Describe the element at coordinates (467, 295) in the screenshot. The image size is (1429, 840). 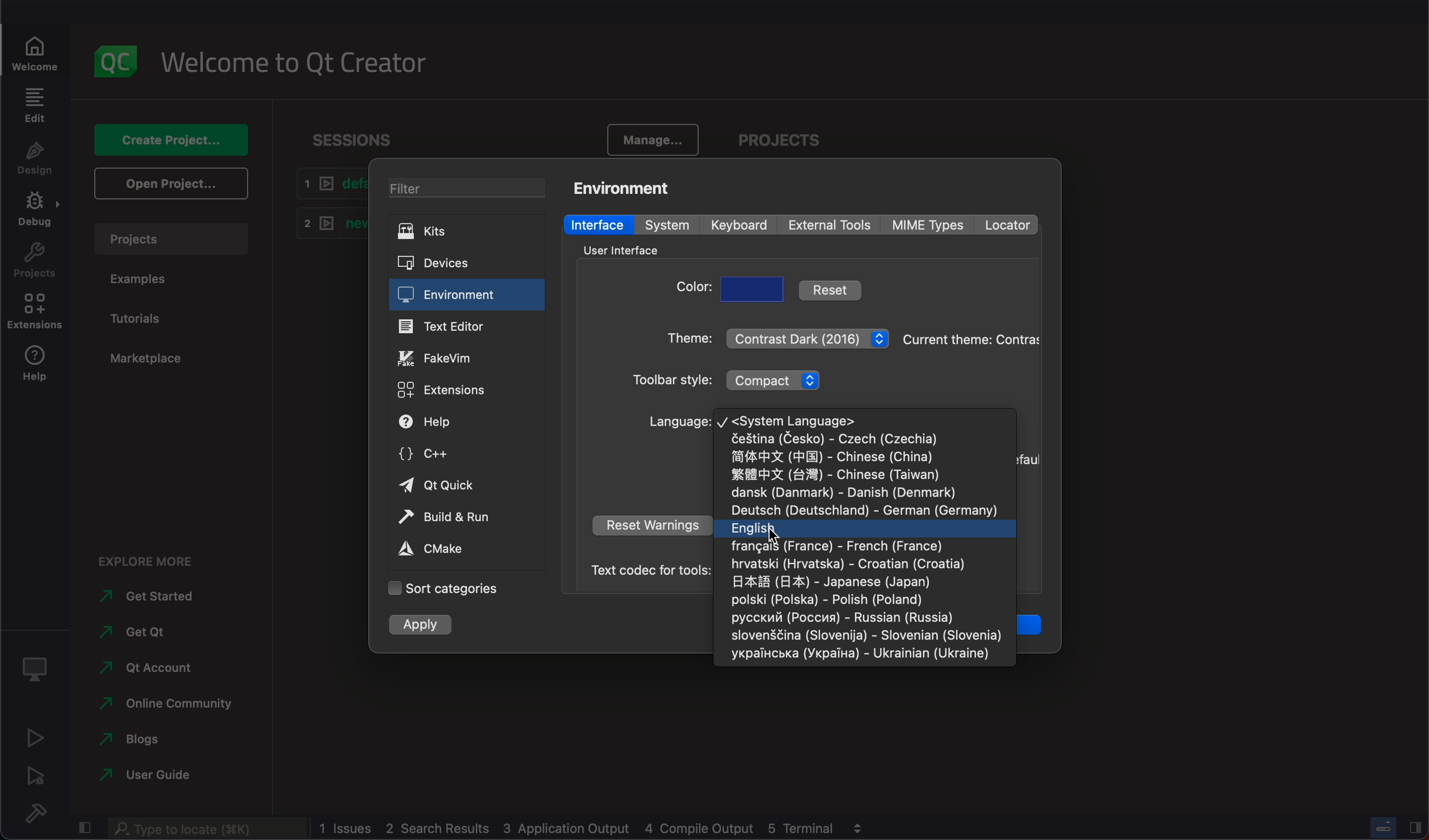
I see `environment` at that location.